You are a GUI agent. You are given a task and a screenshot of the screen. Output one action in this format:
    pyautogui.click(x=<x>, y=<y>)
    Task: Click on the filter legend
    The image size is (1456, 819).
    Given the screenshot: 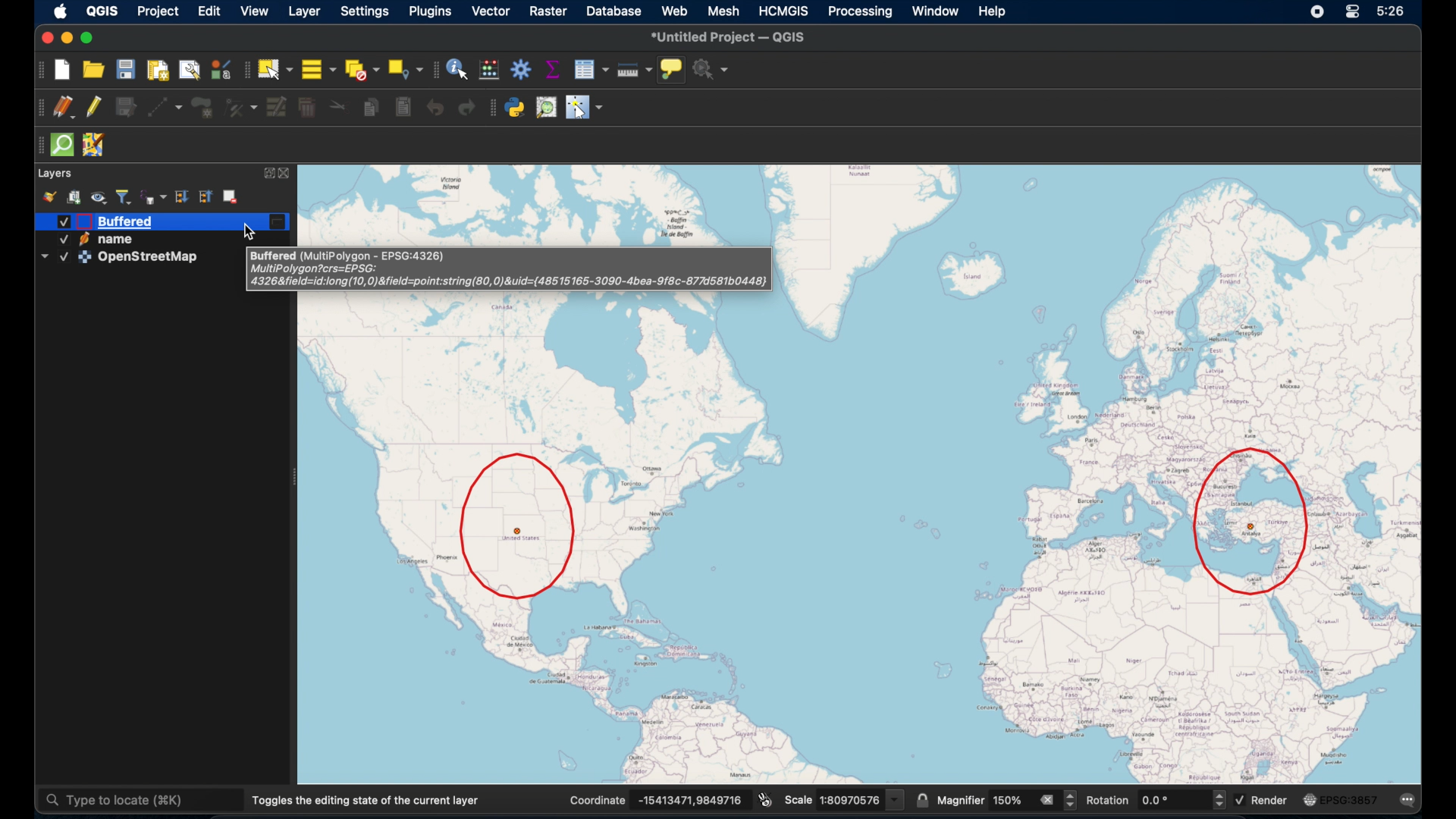 What is the action you would take?
    pyautogui.click(x=124, y=196)
    